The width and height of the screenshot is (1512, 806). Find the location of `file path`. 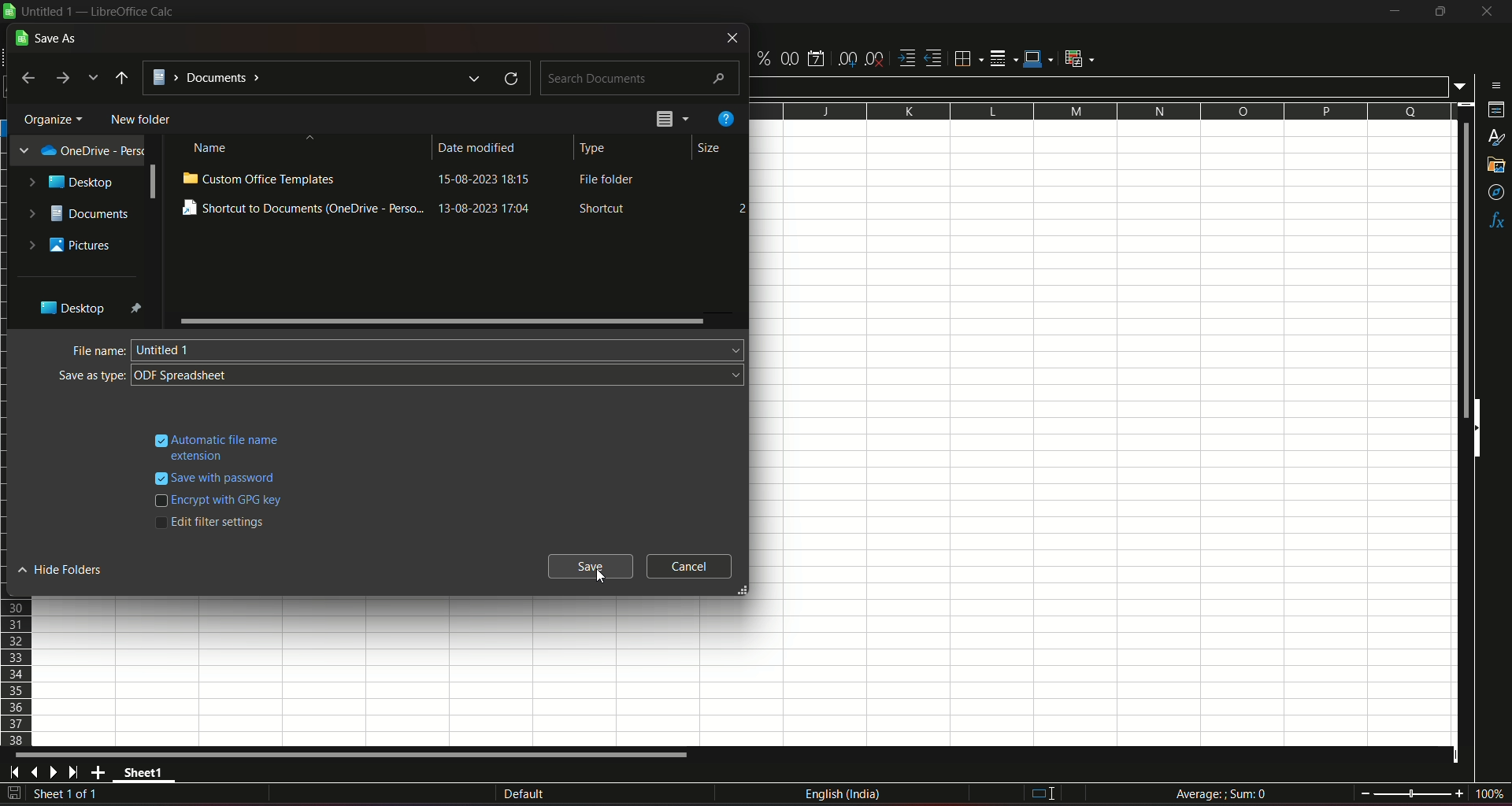

file path is located at coordinates (316, 79).